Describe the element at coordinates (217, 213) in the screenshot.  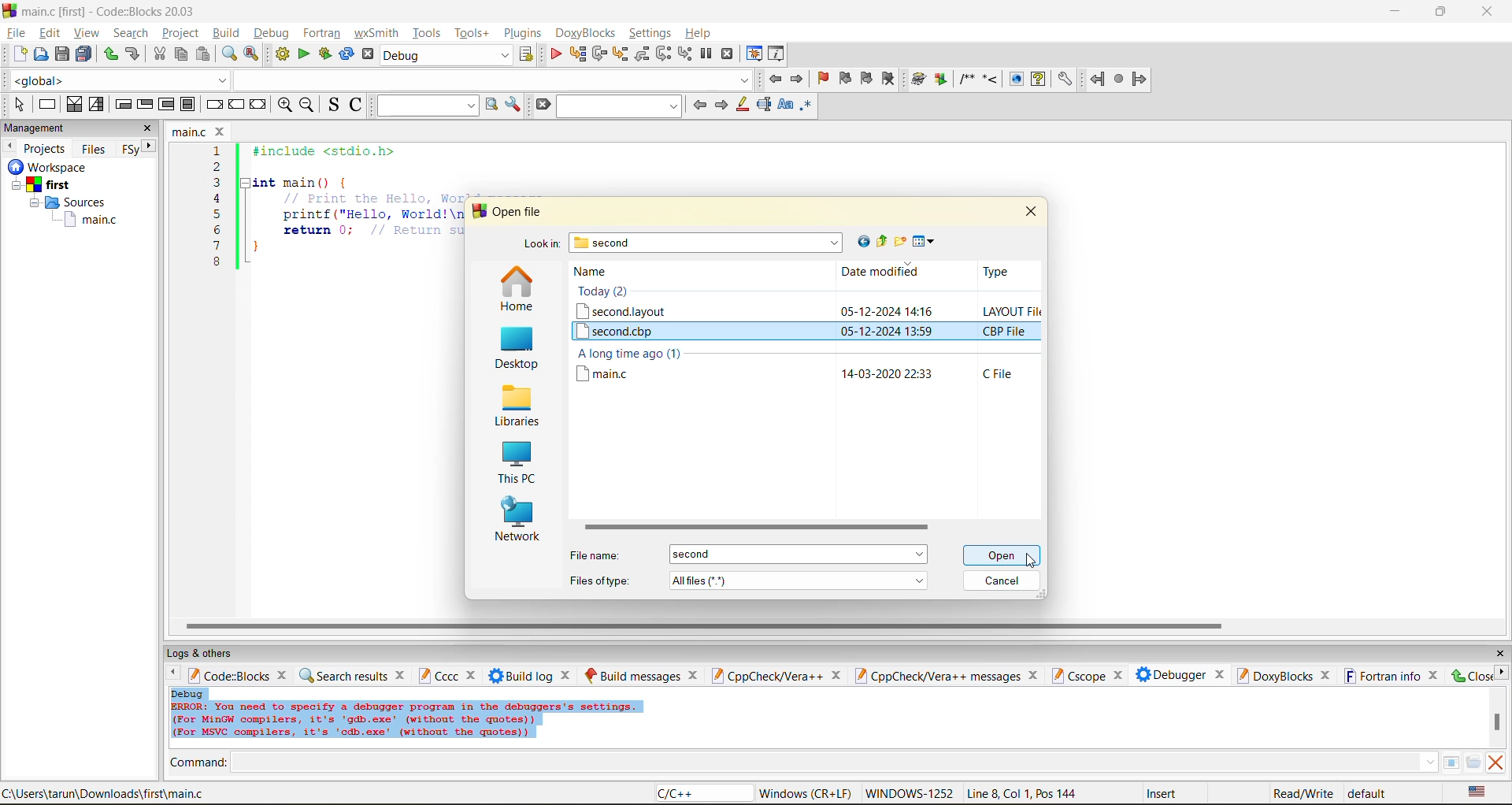
I see `5` at that location.